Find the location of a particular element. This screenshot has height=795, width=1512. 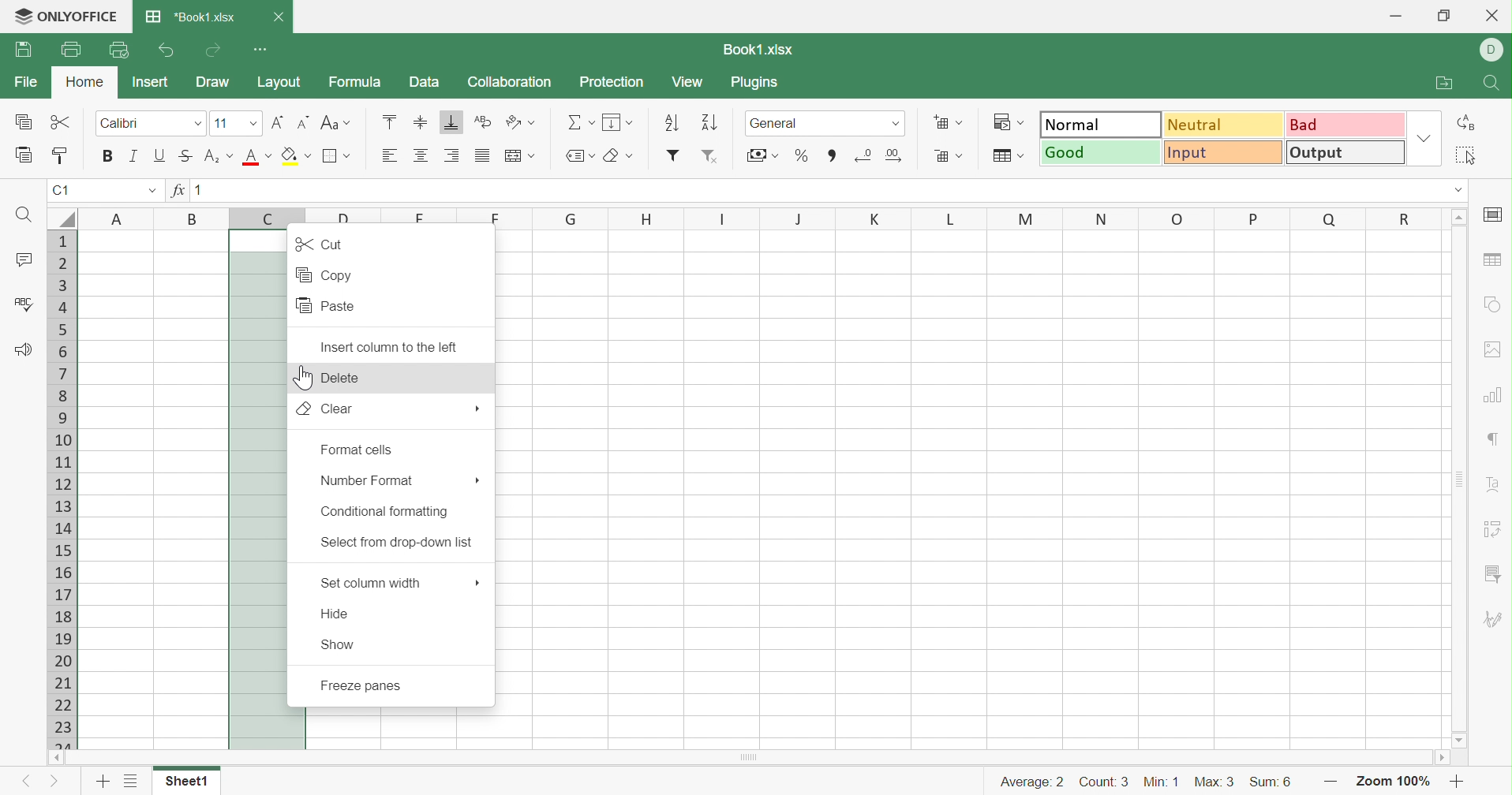

Strikethrough is located at coordinates (185, 155).